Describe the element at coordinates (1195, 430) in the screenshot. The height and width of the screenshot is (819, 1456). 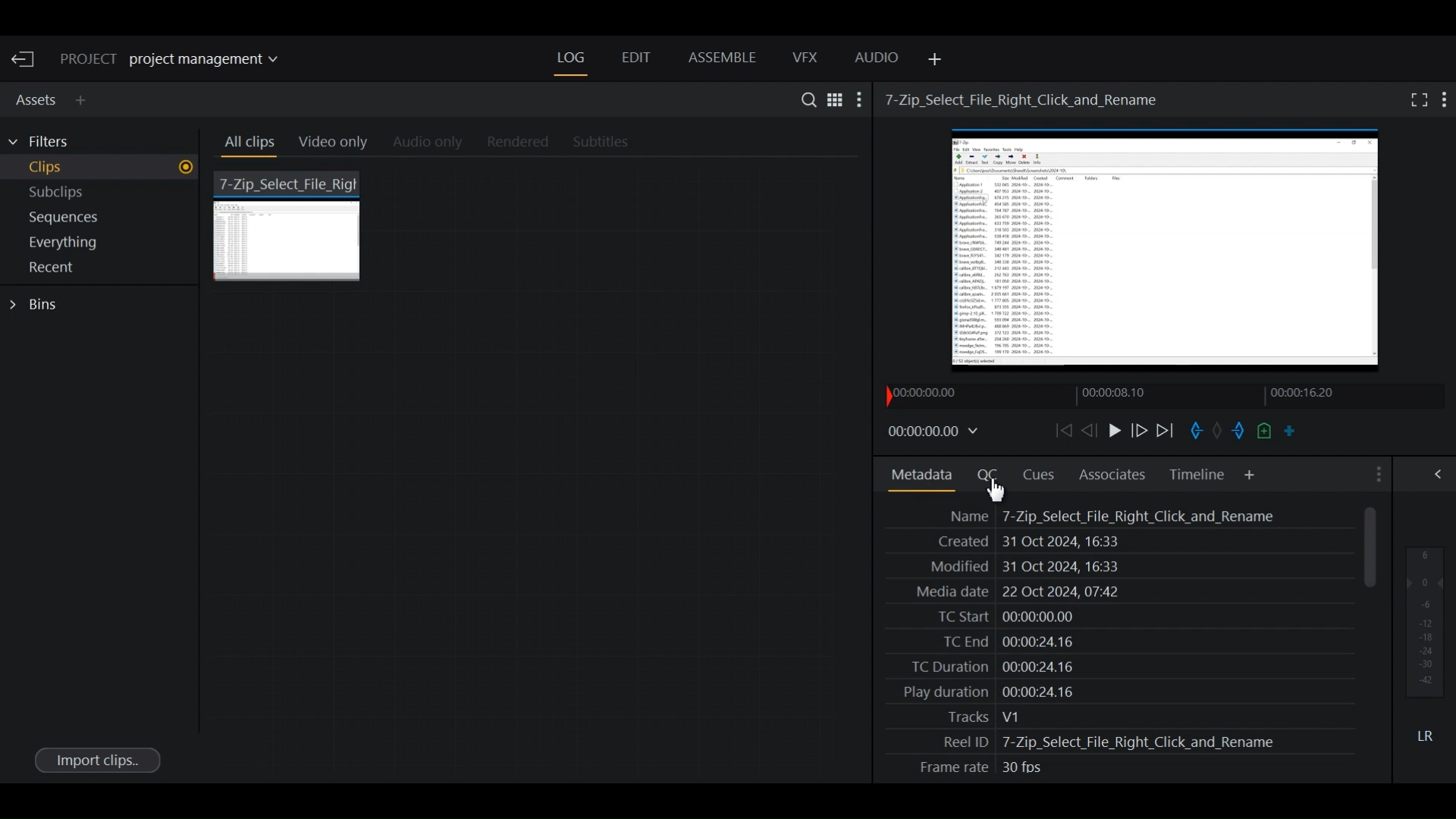
I see `Mark in` at that location.